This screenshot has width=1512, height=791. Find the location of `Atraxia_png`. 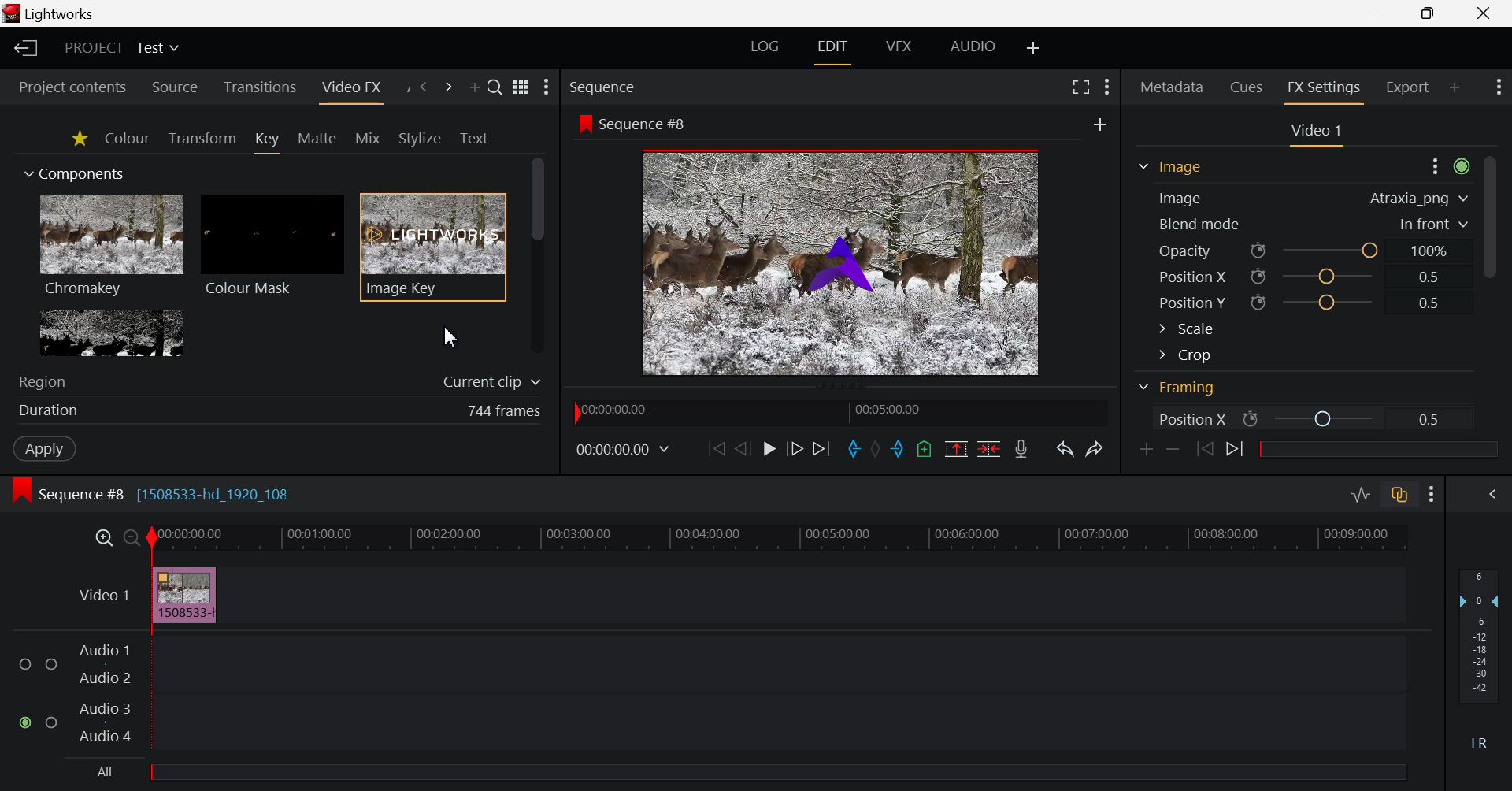

Atraxia_png is located at coordinates (1397, 199).